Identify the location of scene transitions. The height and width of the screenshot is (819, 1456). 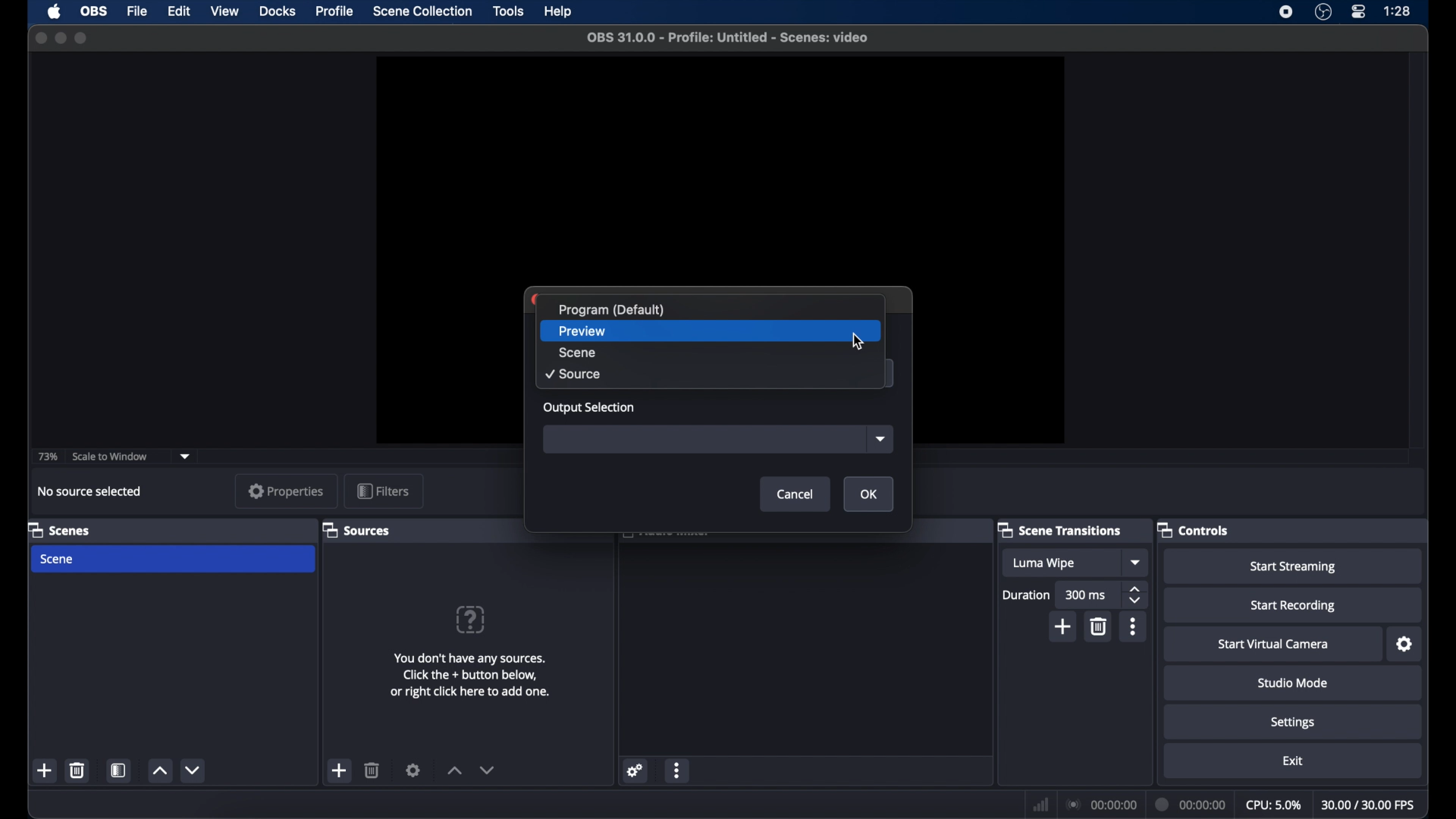
(1063, 531).